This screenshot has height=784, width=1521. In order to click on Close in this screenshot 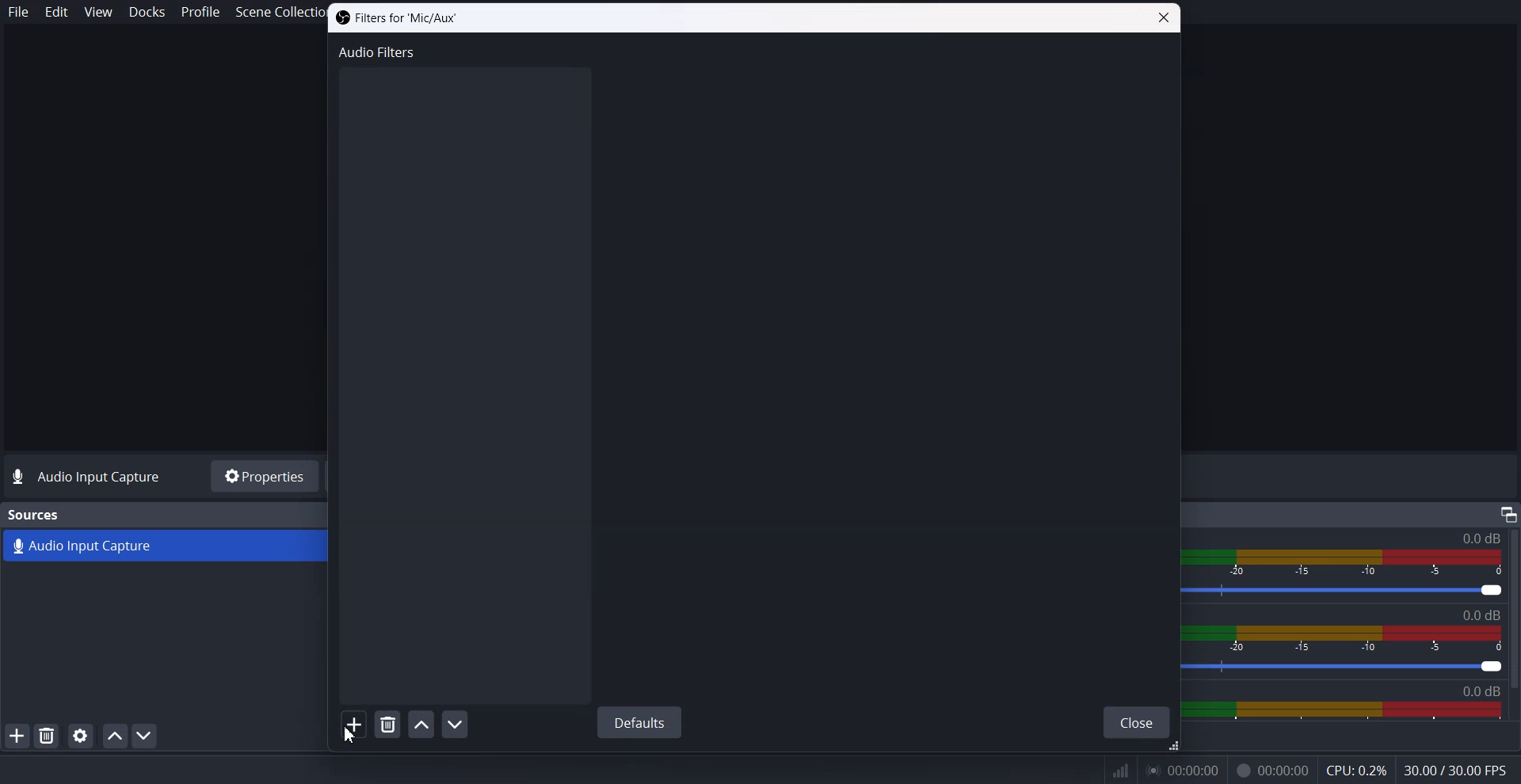, I will do `click(1137, 723)`.